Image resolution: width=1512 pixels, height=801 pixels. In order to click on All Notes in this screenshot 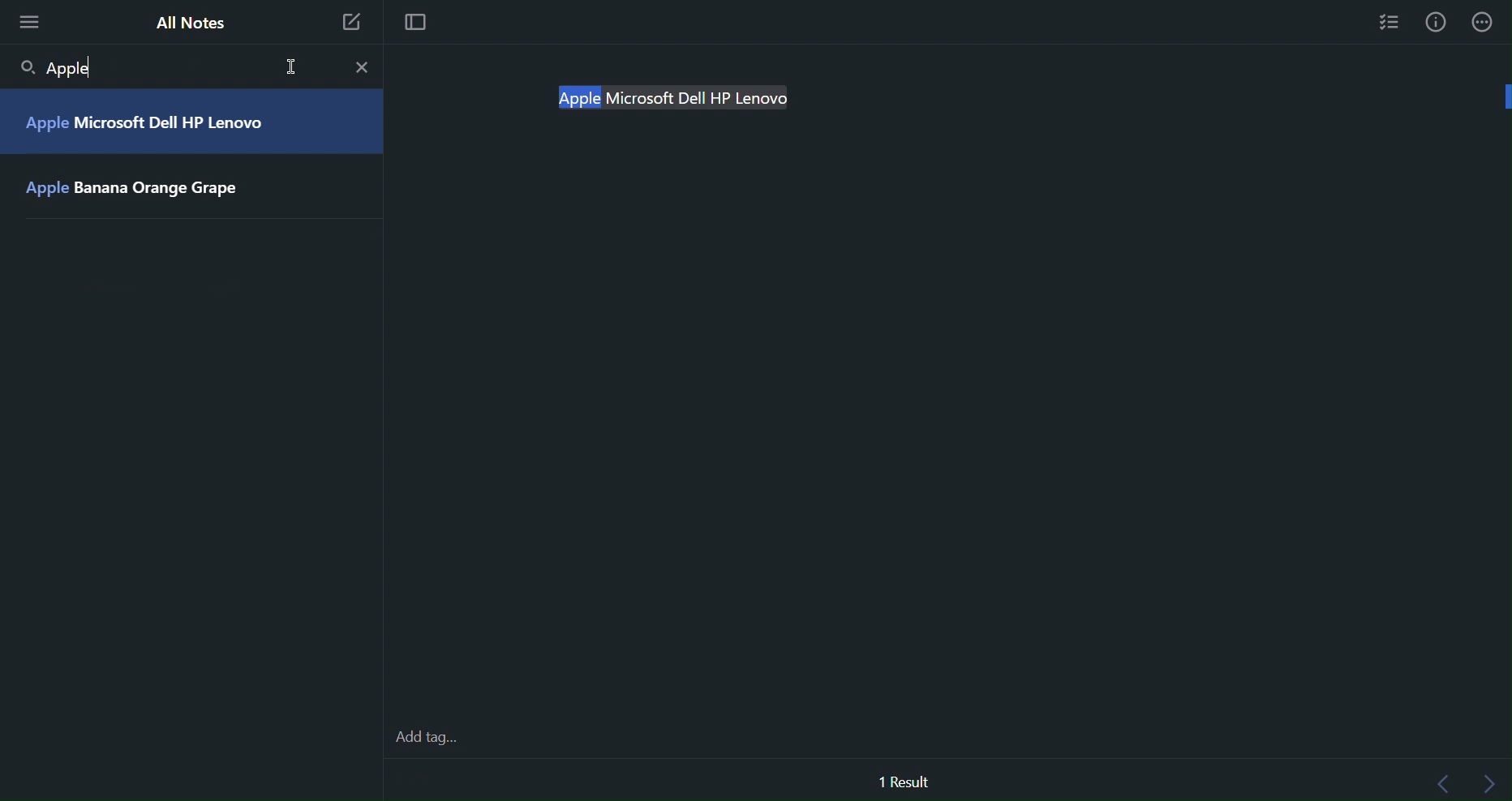, I will do `click(190, 26)`.